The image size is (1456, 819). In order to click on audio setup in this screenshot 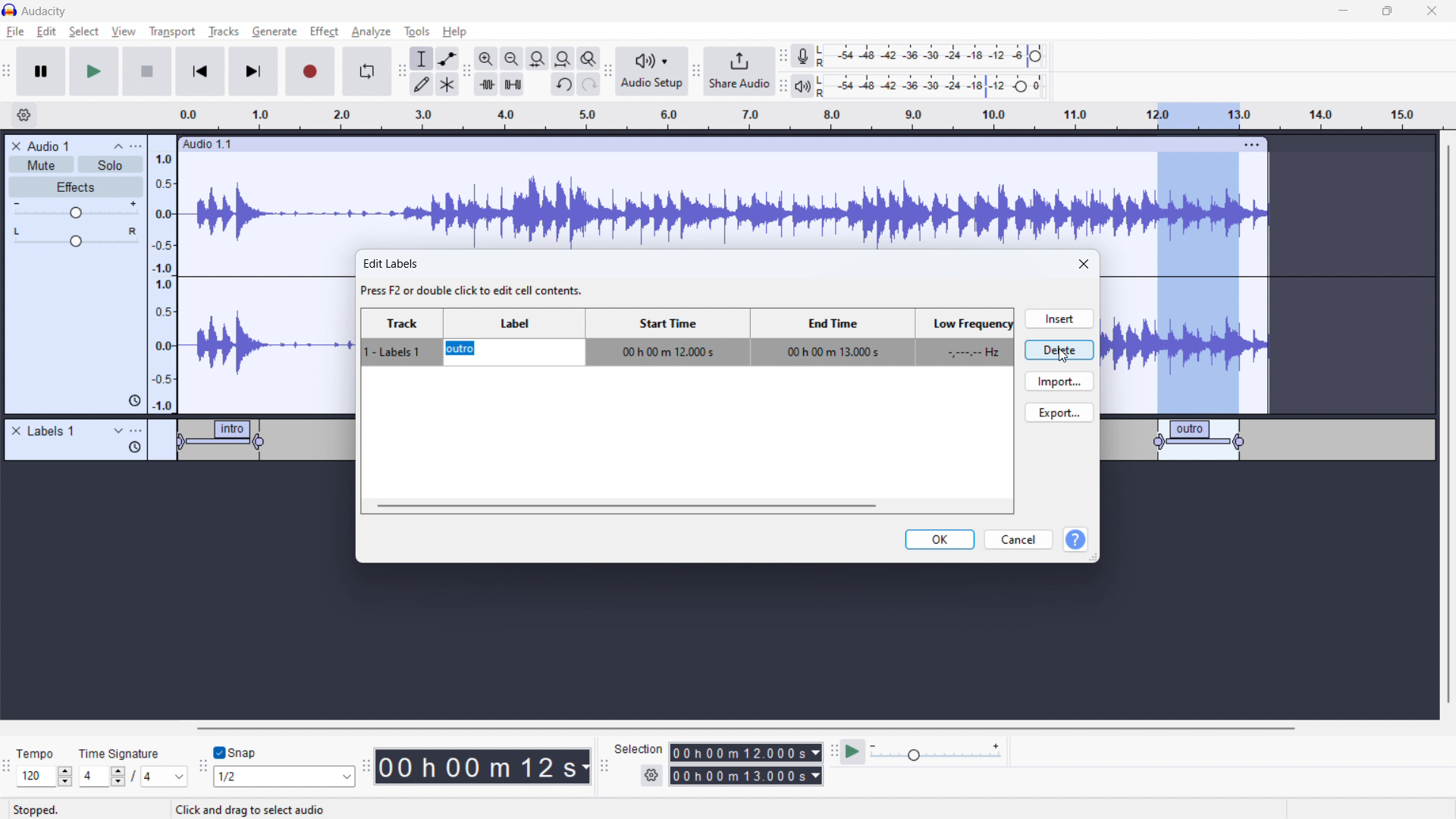, I will do `click(652, 72)`.